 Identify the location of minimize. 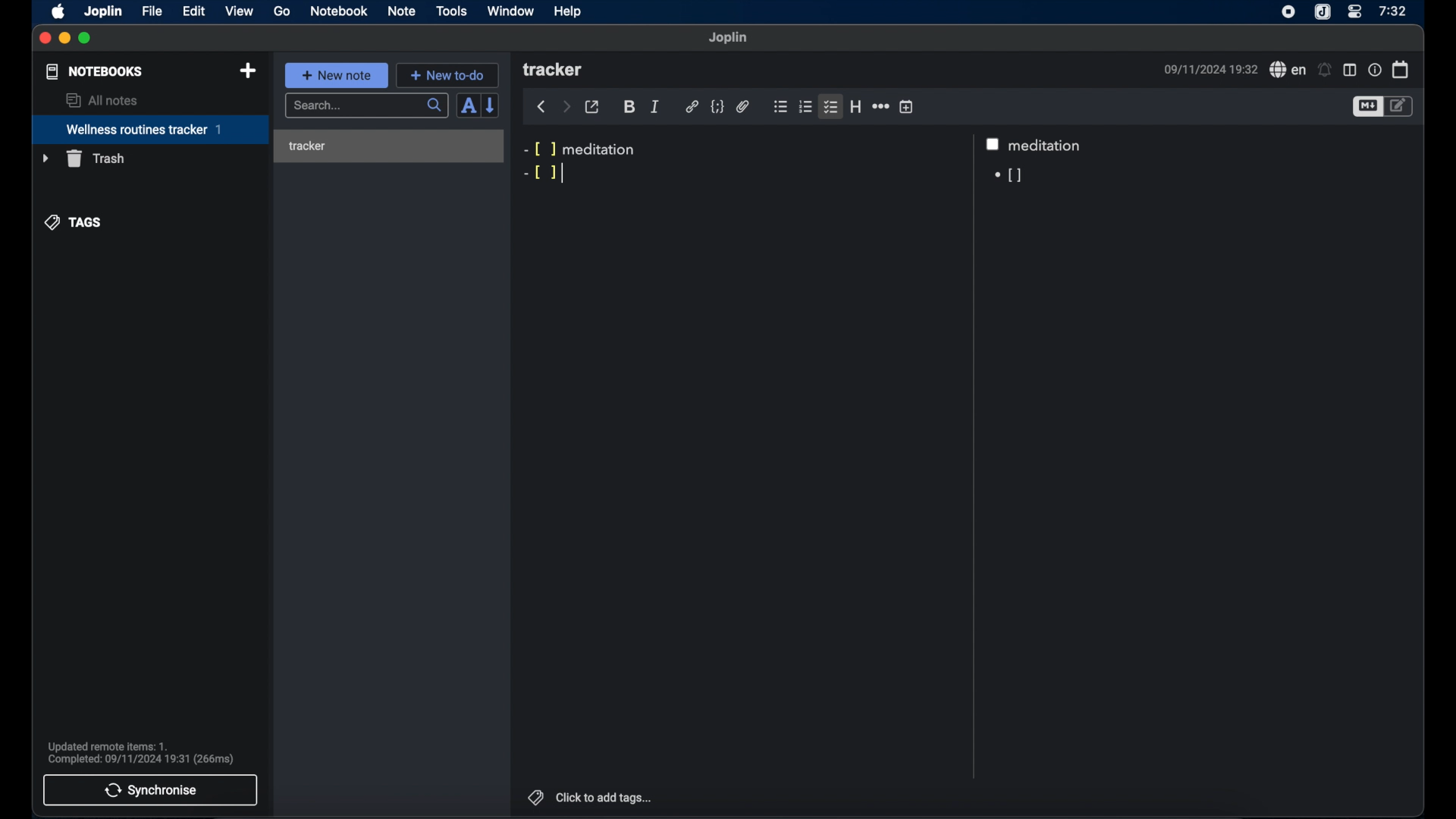
(65, 39).